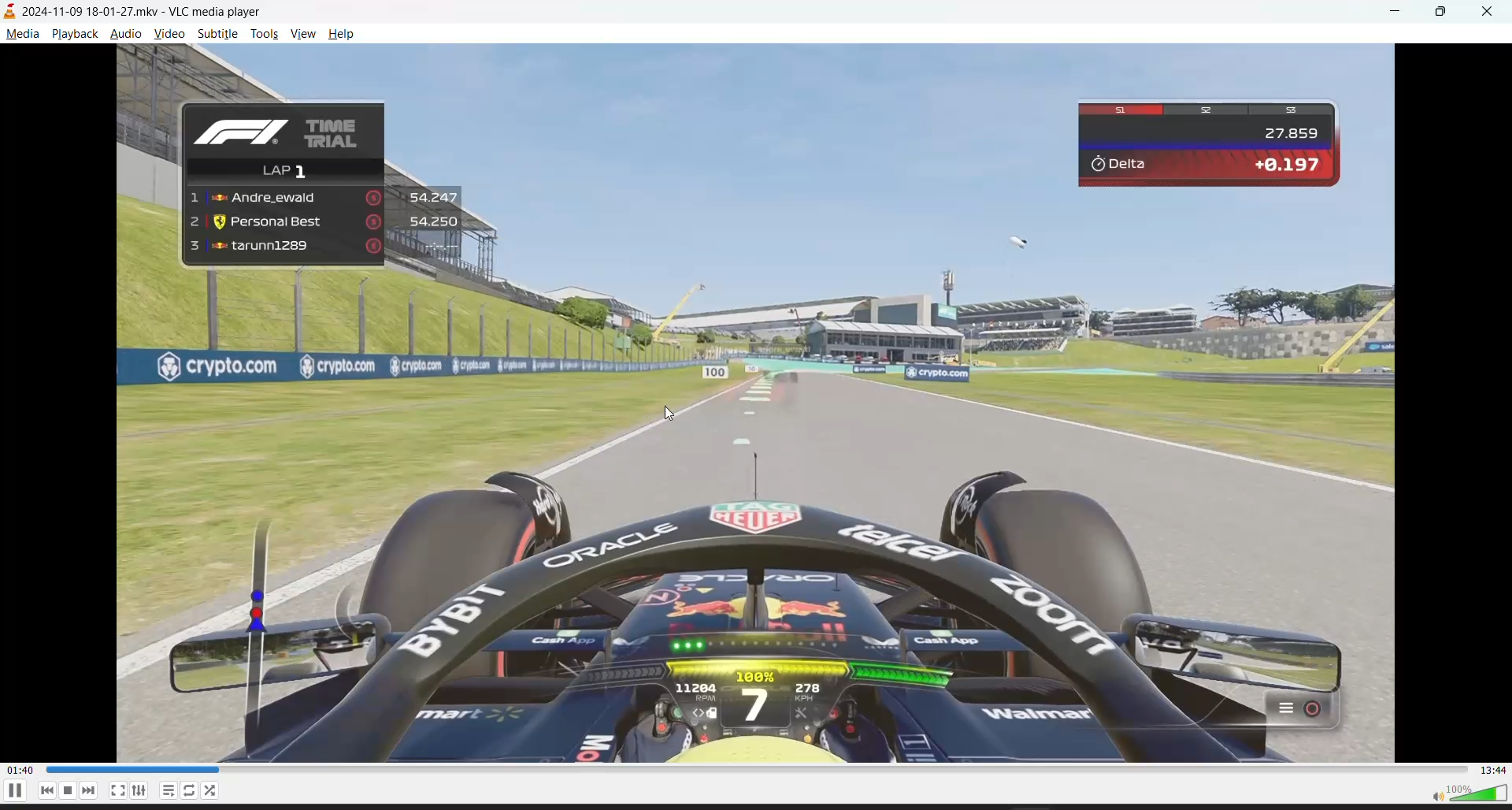 The image size is (1512, 810). What do you see at coordinates (76, 34) in the screenshot?
I see `playback` at bounding box center [76, 34].